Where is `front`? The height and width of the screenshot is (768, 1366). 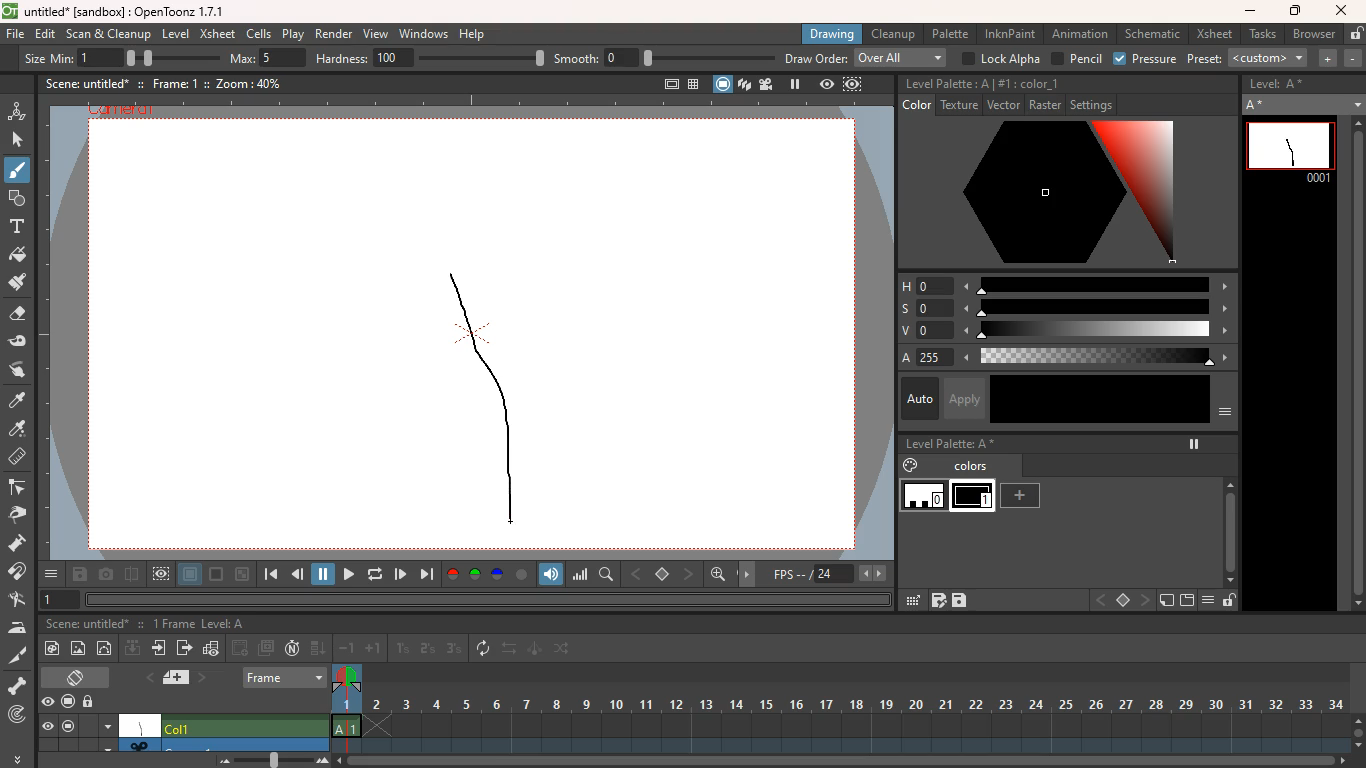 front is located at coordinates (1147, 600).